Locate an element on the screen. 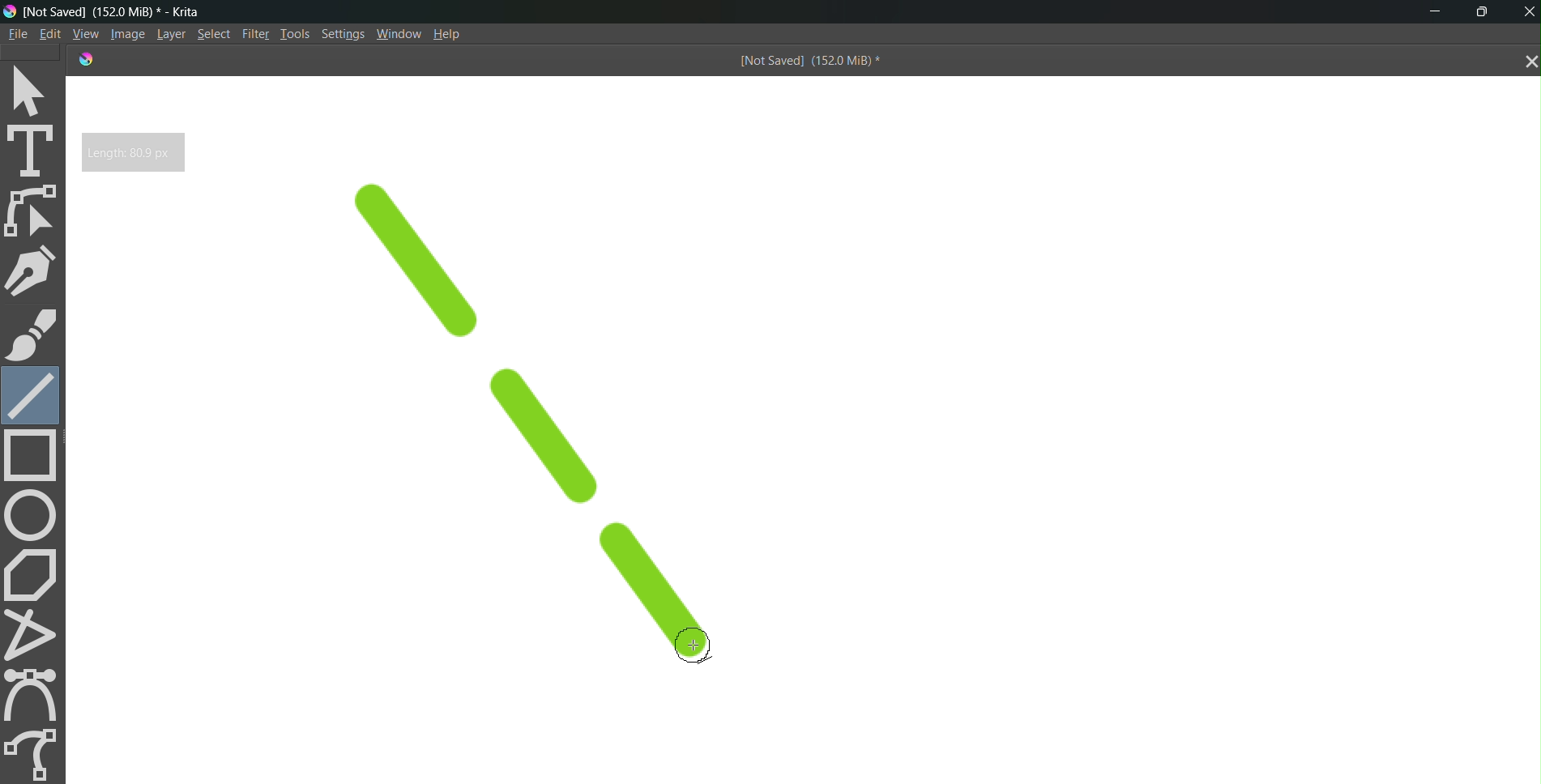  Layer is located at coordinates (168, 35).